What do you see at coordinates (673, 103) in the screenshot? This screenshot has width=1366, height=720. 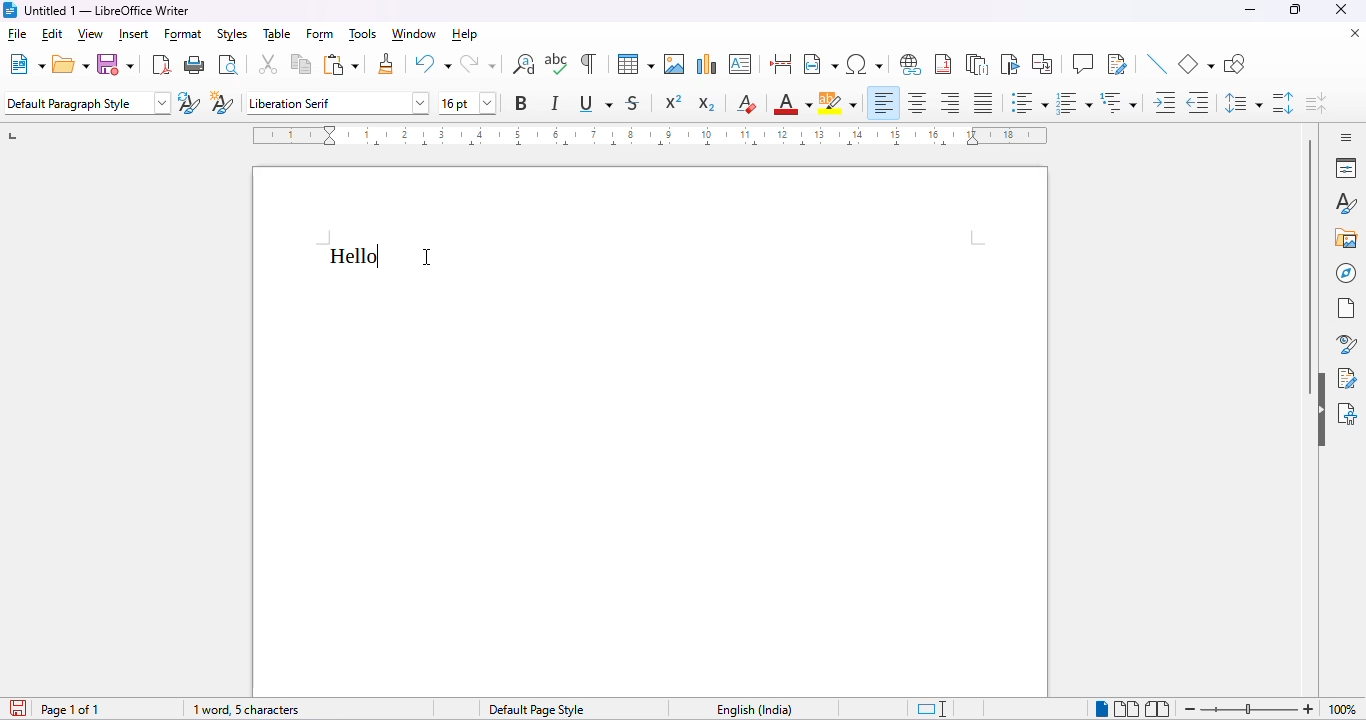 I see `superscript` at bounding box center [673, 103].